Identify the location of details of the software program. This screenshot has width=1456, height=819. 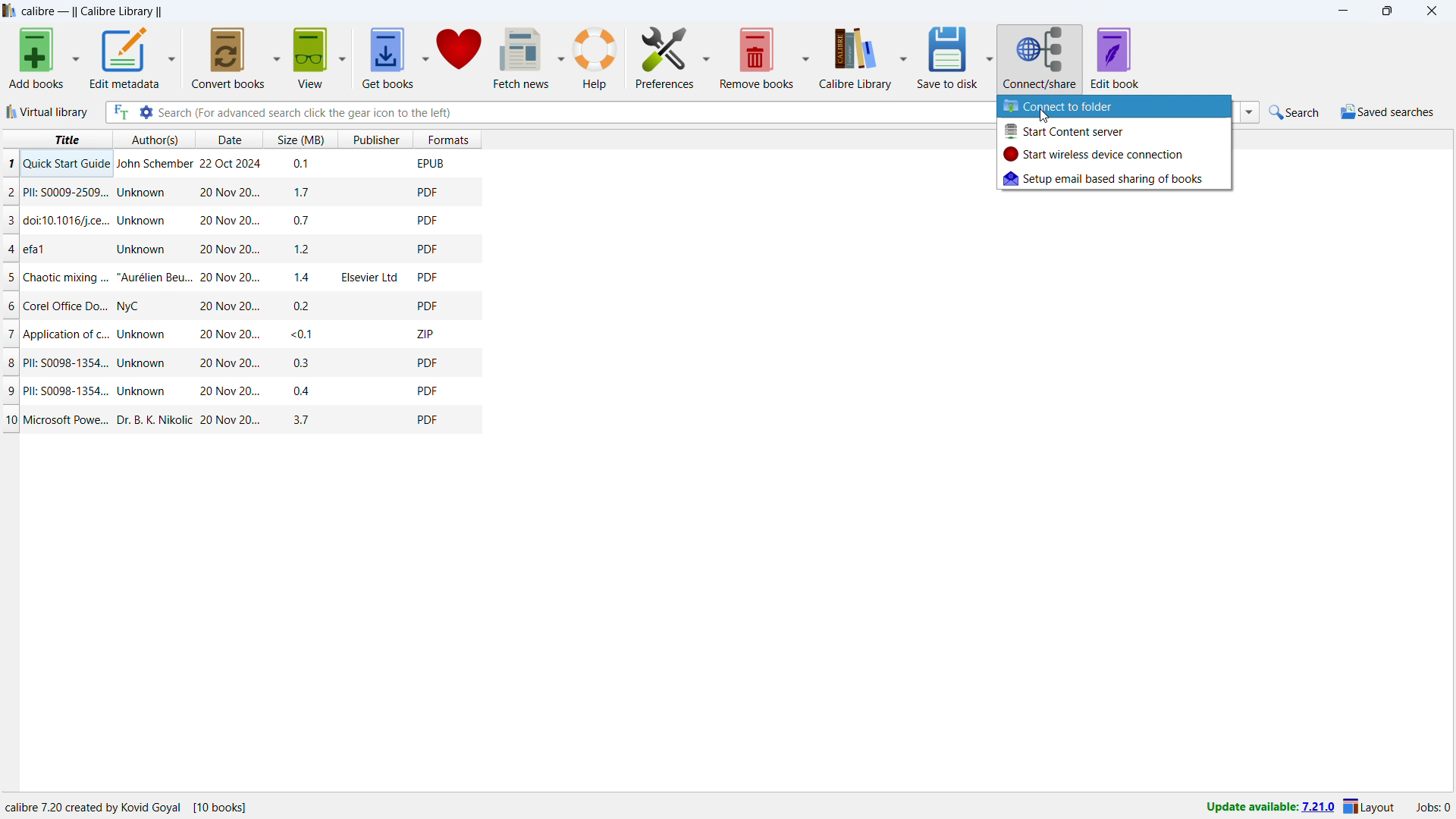
(190, 803).